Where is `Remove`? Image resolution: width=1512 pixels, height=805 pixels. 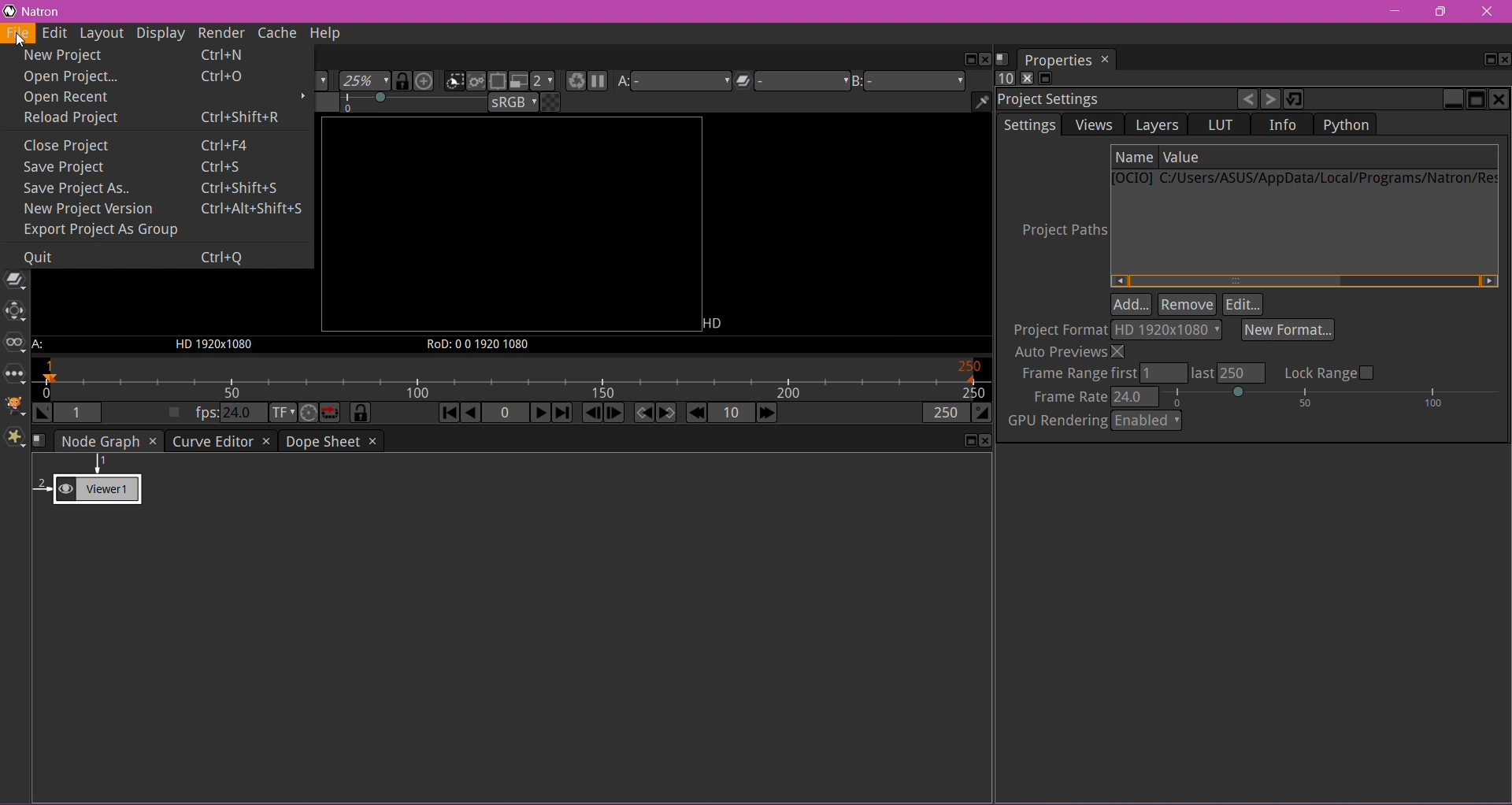
Remove is located at coordinates (1187, 304).